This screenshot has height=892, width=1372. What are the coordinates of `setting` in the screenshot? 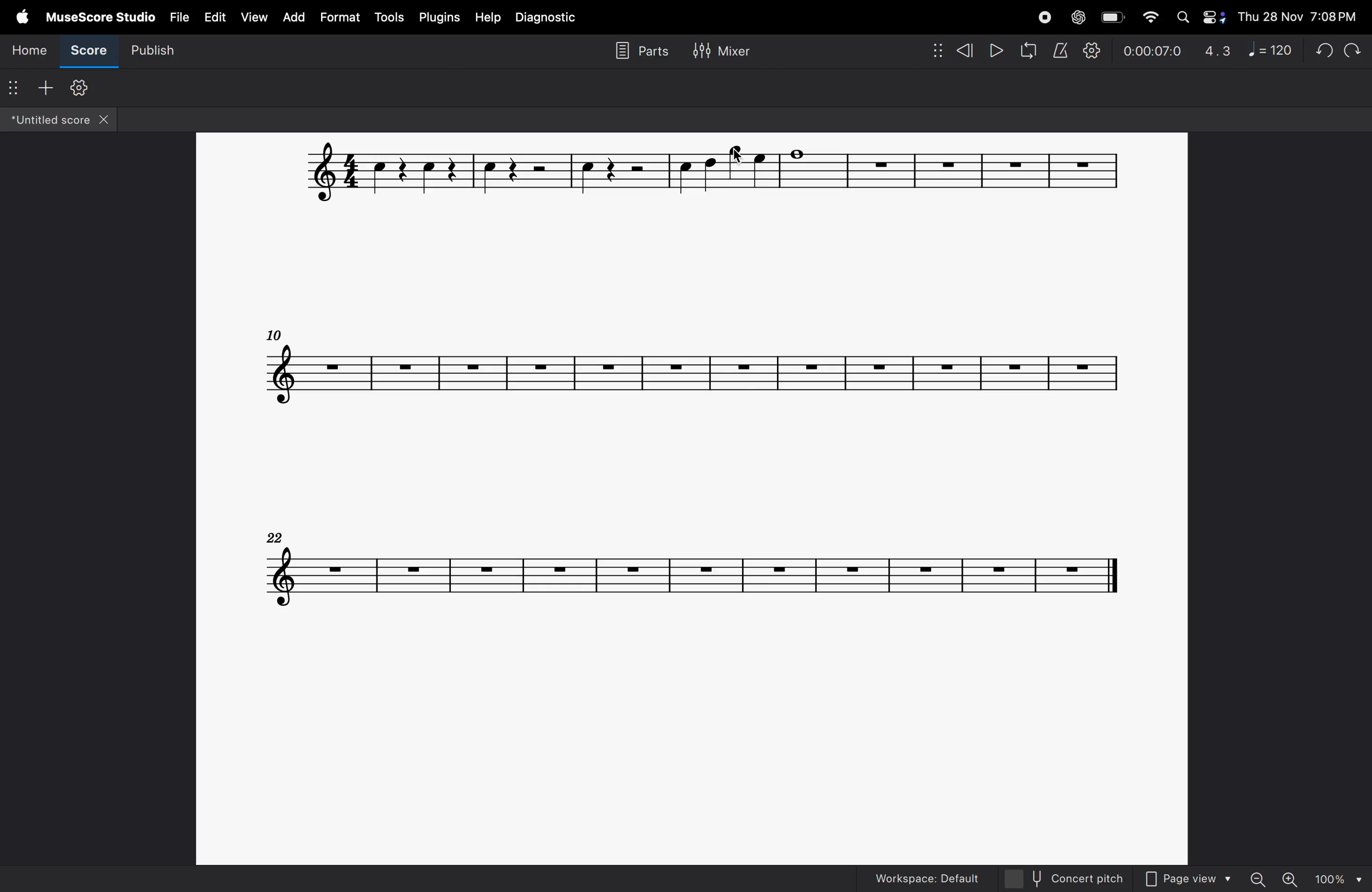 It's located at (1091, 49).